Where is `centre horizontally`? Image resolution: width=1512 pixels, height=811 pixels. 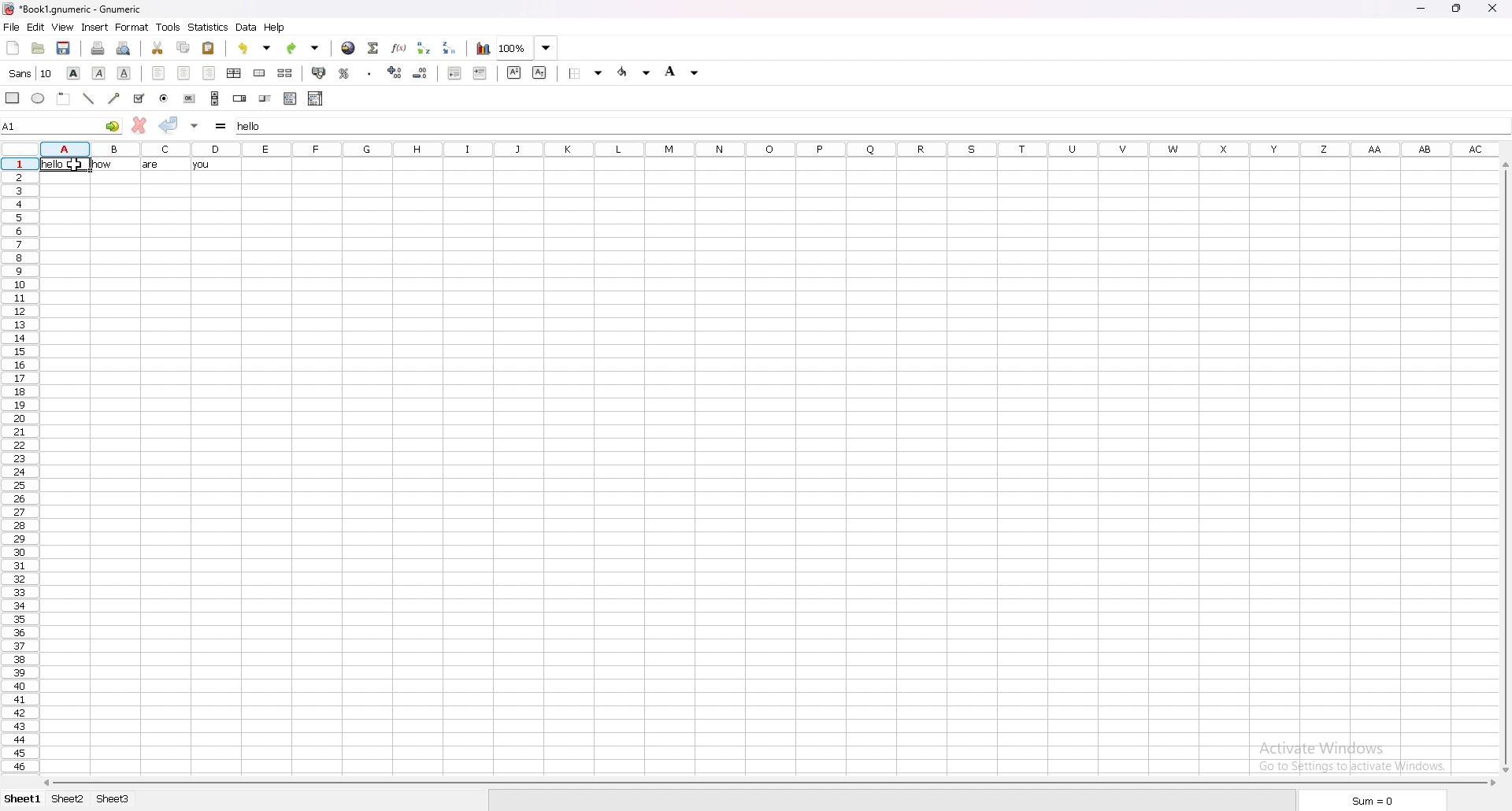 centre horizontally is located at coordinates (235, 72).